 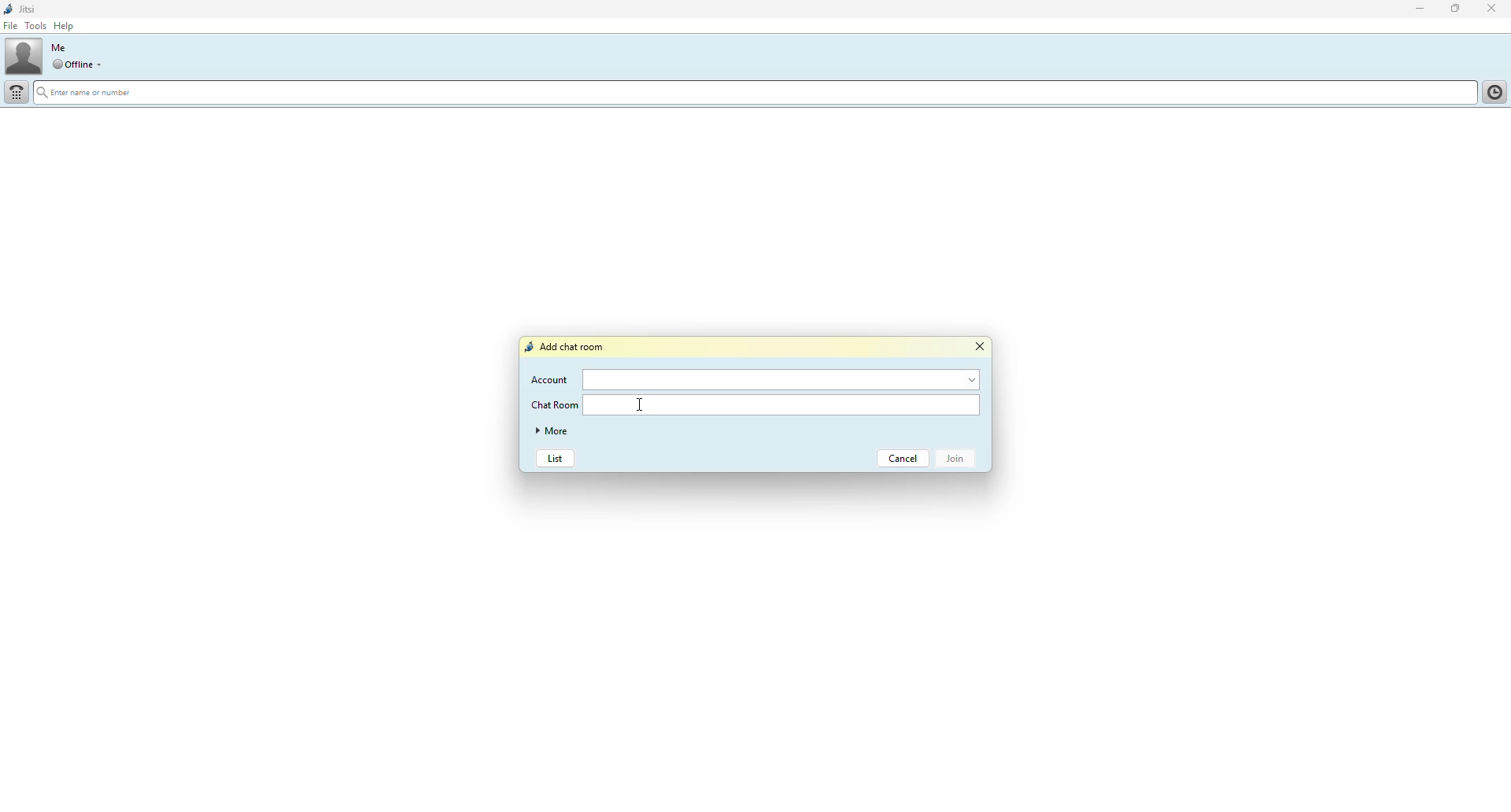 I want to click on tools, so click(x=35, y=28).